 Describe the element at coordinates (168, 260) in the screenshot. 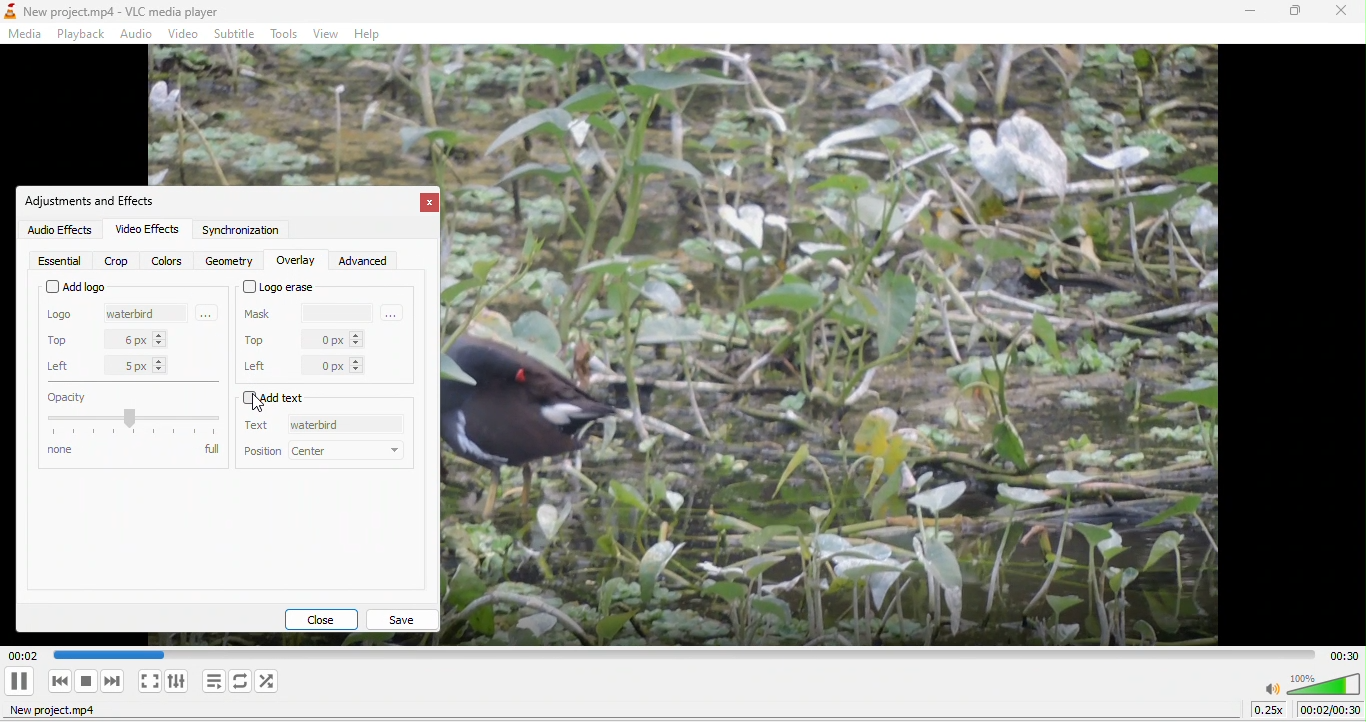

I see `colors` at that location.